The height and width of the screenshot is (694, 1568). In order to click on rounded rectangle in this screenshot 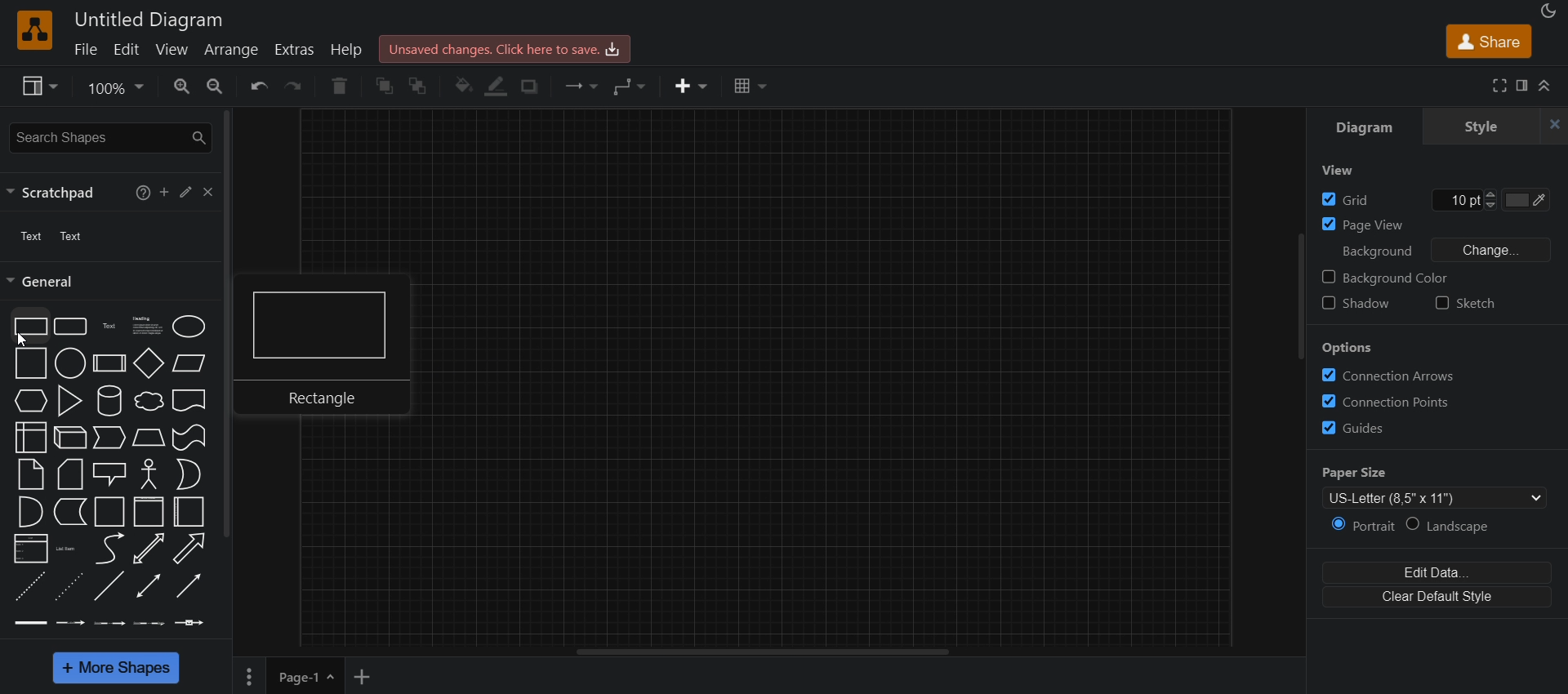, I will do `click(69, 325)`.